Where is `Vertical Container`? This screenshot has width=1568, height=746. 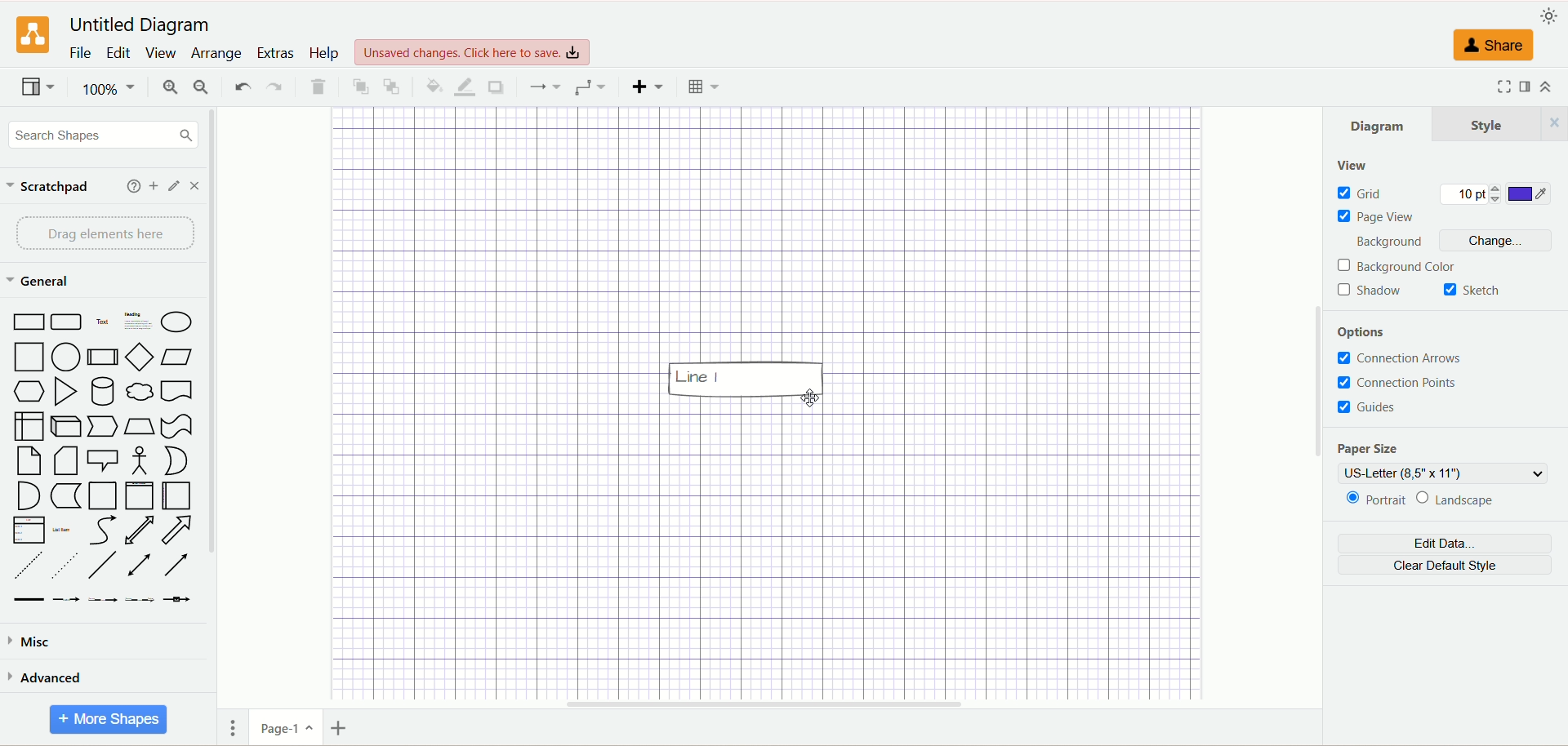 Vertical Container is located at coordinates (140, 496).